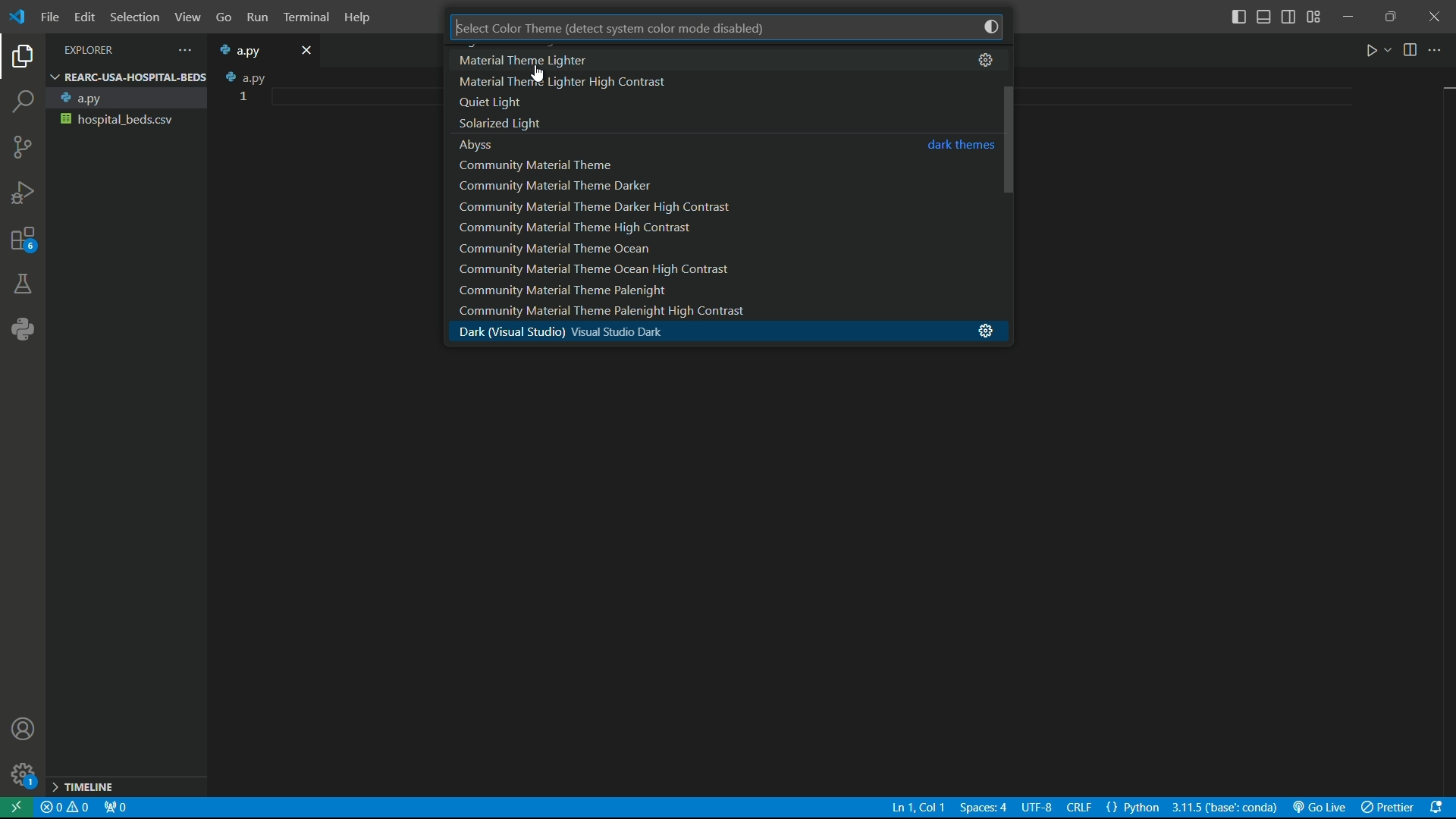  I want to click on 1, so click(245, 96).